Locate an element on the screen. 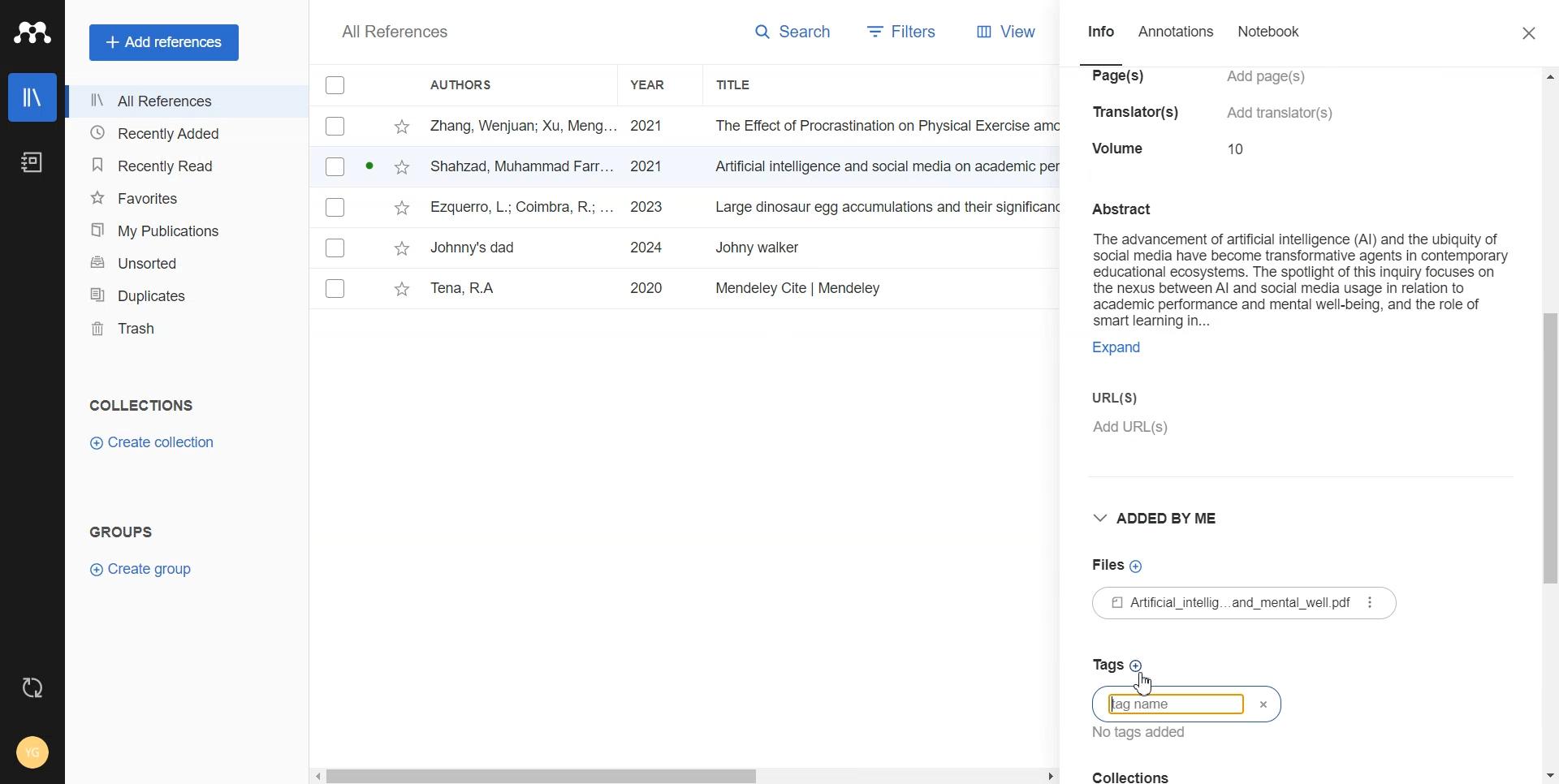  Add references is located at coordinates (164, 41).